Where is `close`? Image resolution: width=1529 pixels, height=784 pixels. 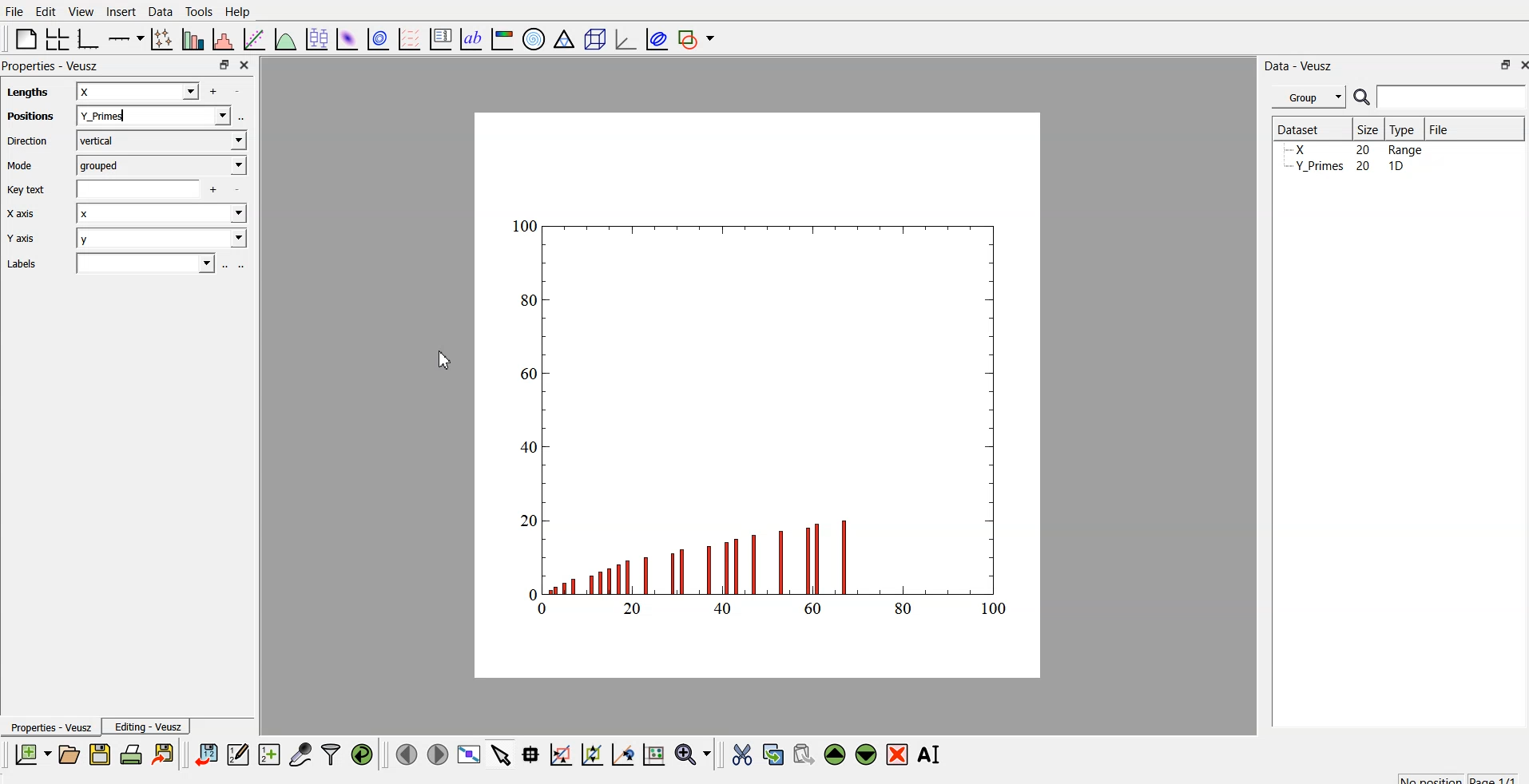
close is located at coordinates (1519, 66).